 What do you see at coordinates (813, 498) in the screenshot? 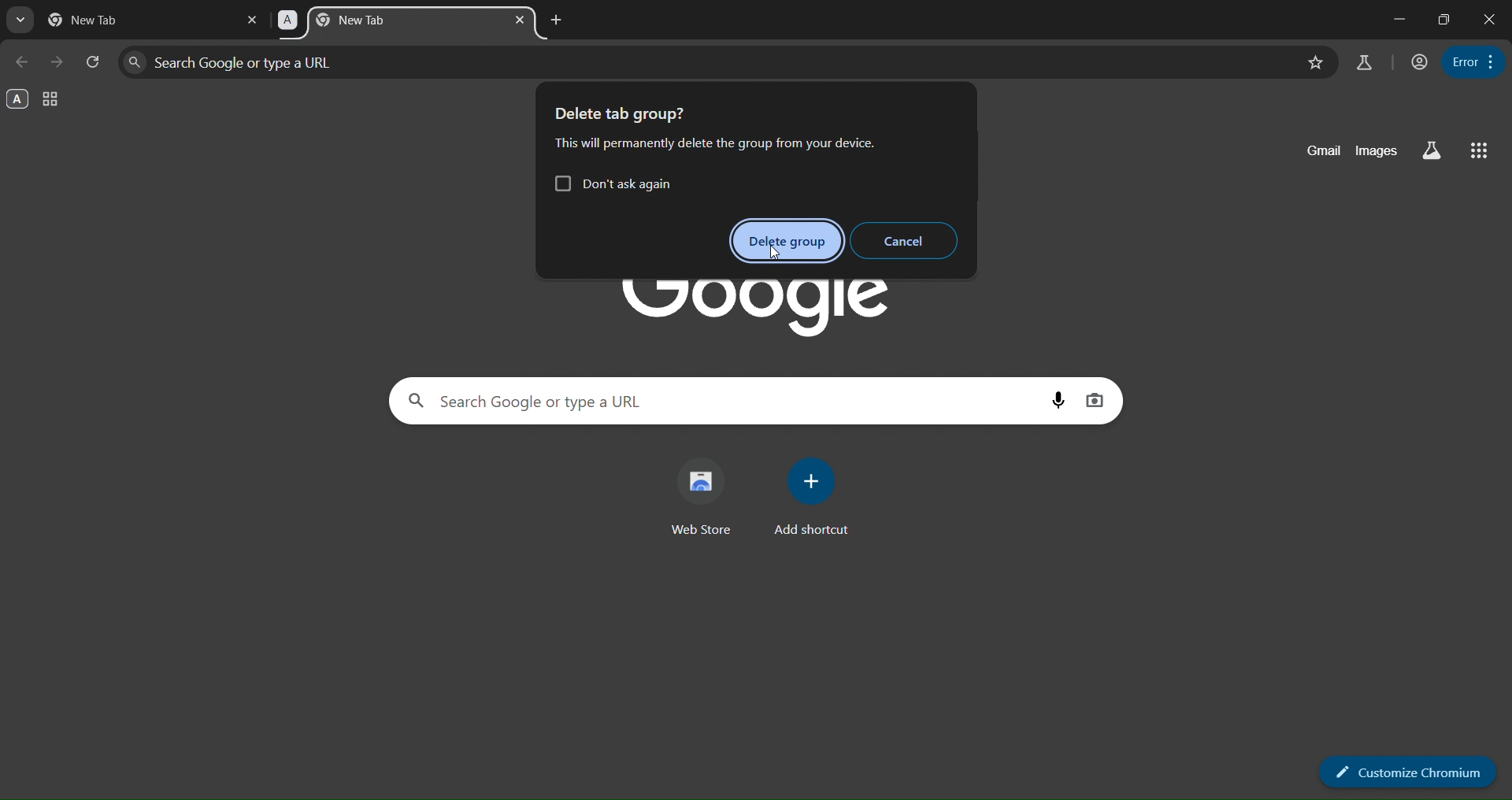
I see `add shortcut` at bounding box center [813, 498].